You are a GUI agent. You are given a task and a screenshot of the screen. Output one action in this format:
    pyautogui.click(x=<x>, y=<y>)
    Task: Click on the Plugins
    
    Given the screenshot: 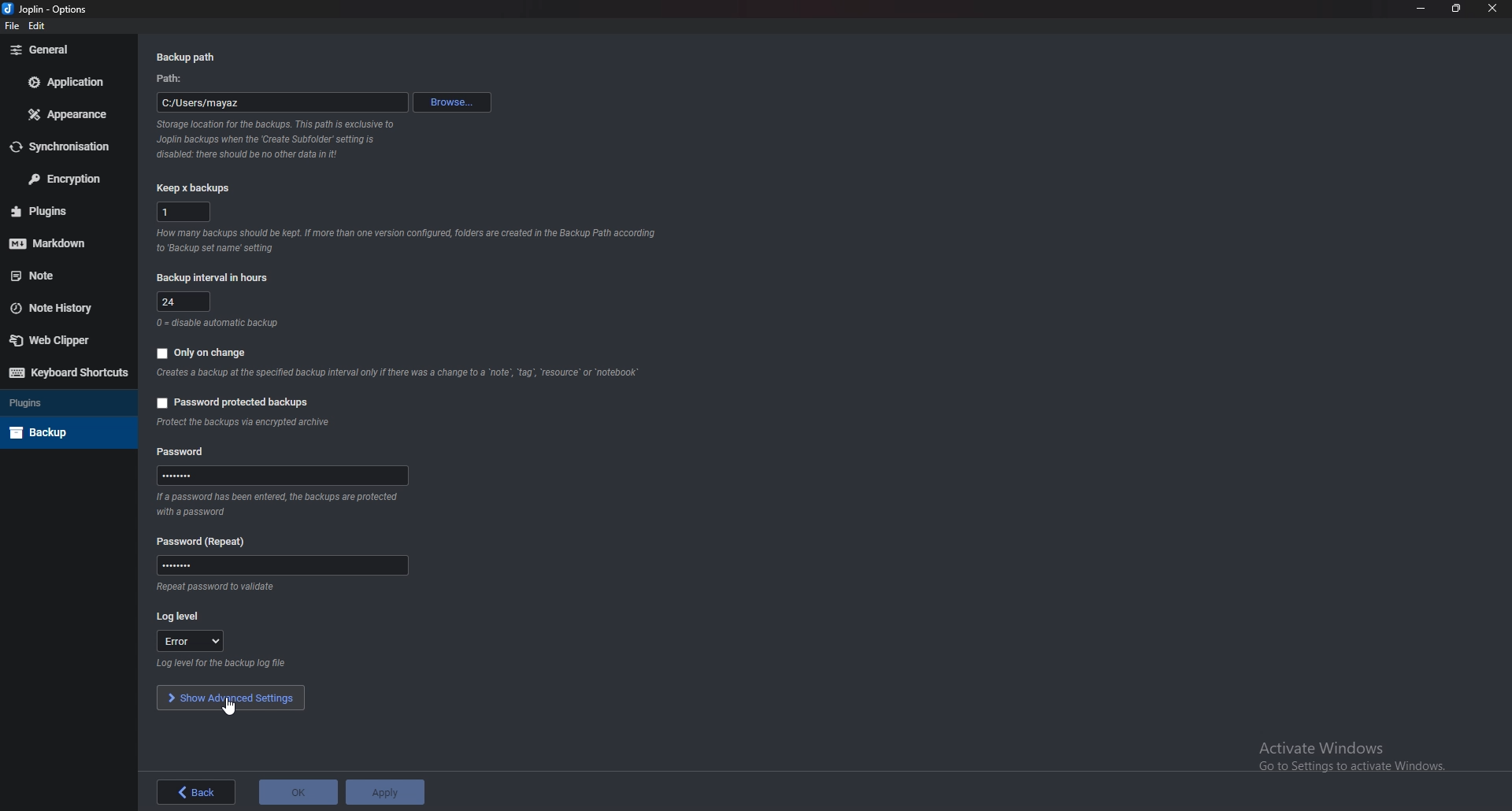 What is the action you would take?
    pyautogui.click(x=61, y=211)
    